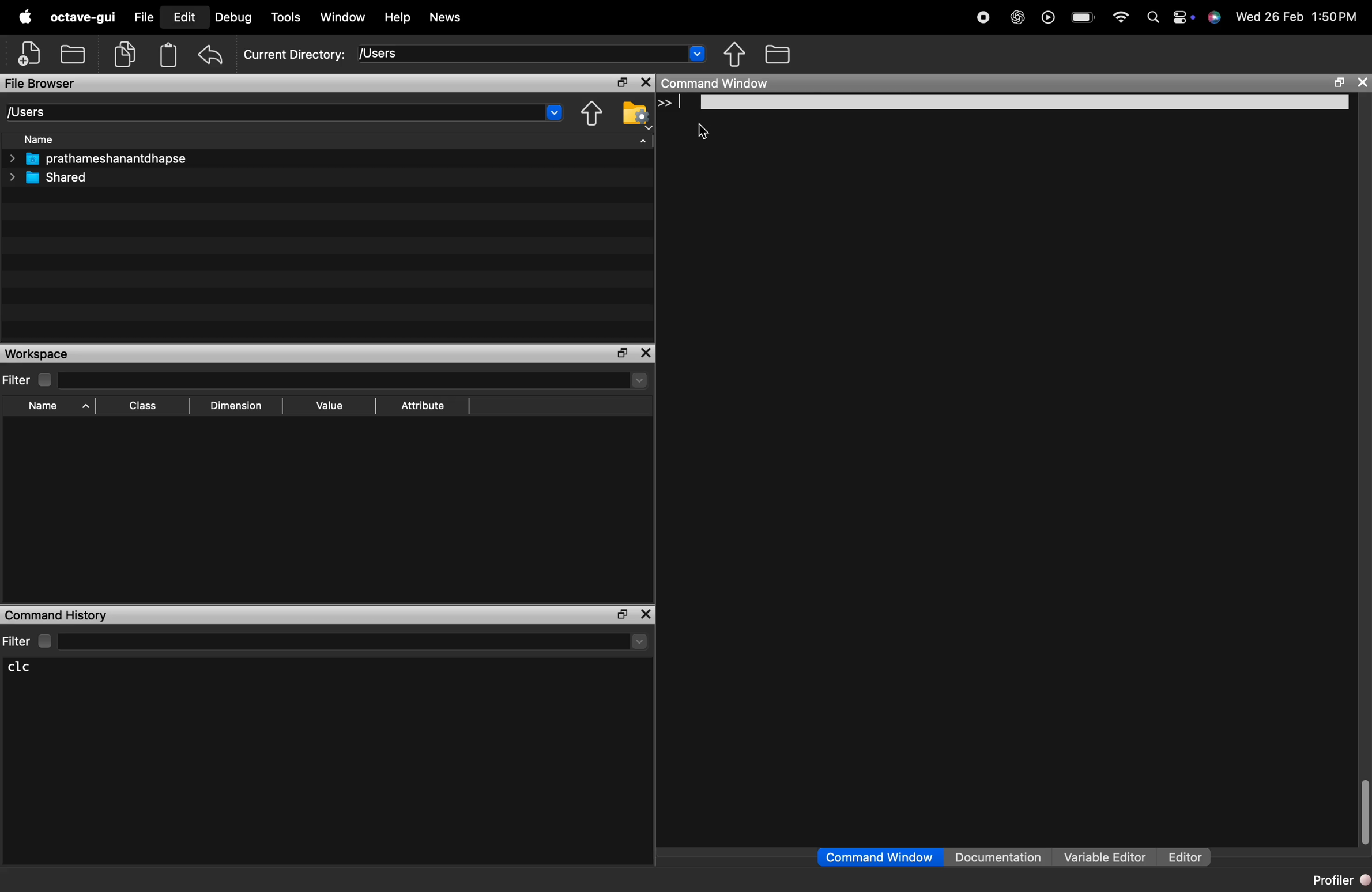 The height and width of the screenshot is (892, 1372). What do you see at coordinates (329, 407) in the screenshot?
I see `Value` at bounding box center [329, 407].